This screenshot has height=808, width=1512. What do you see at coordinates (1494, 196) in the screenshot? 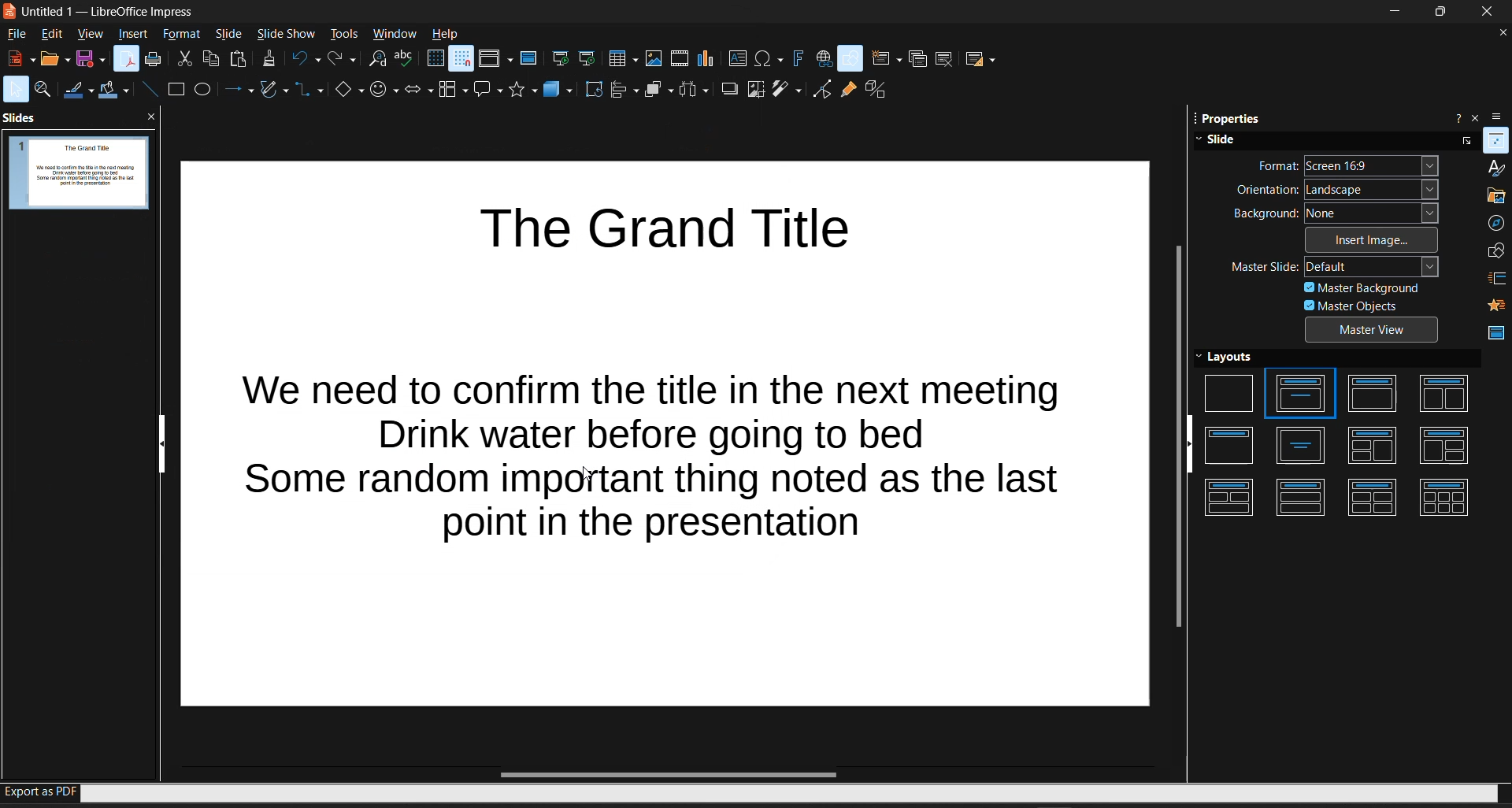
I see `gallery` at bounding box center [1494, 196].